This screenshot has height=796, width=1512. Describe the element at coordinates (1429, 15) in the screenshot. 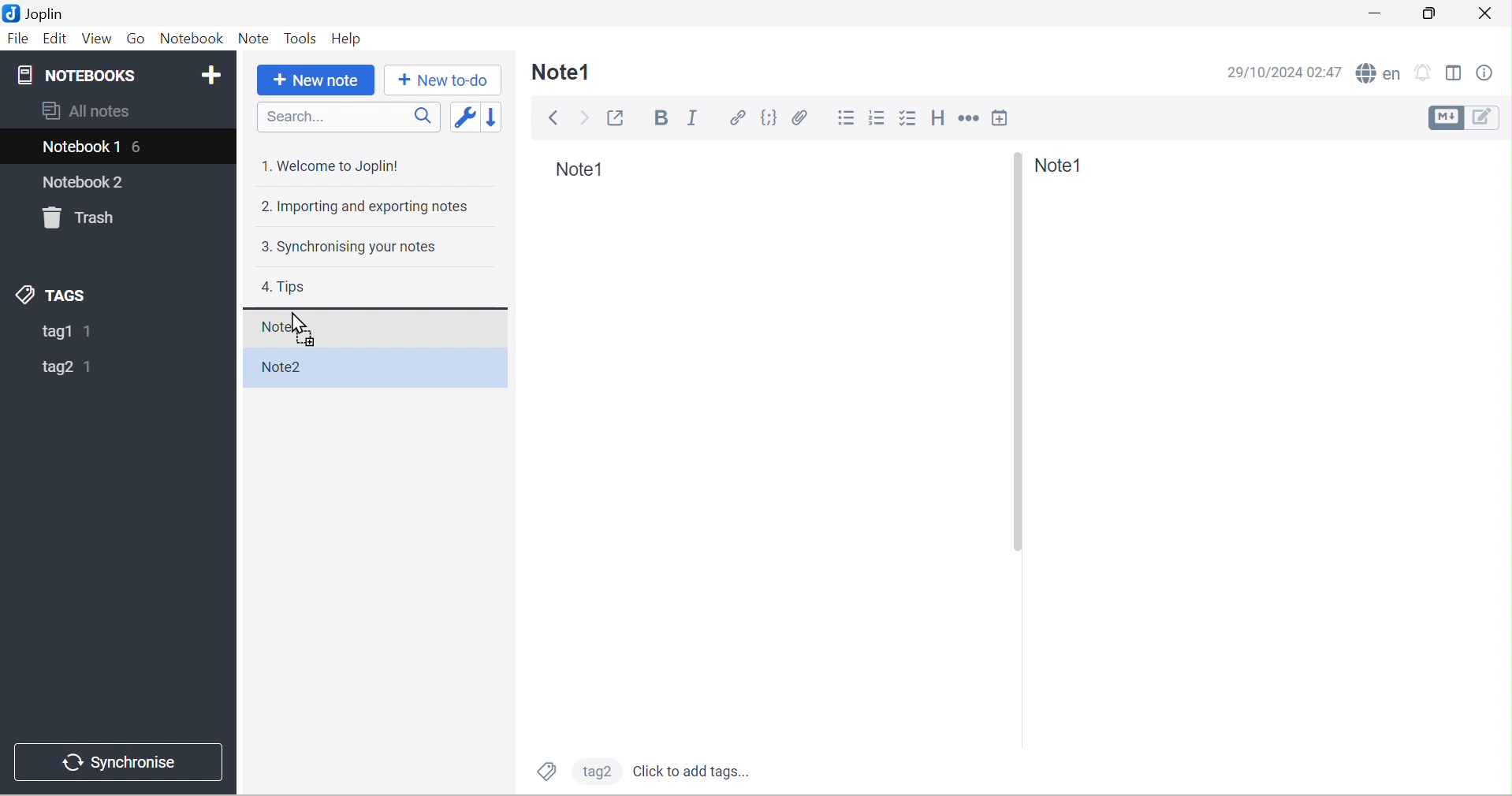

I see `Restore down` at that location.